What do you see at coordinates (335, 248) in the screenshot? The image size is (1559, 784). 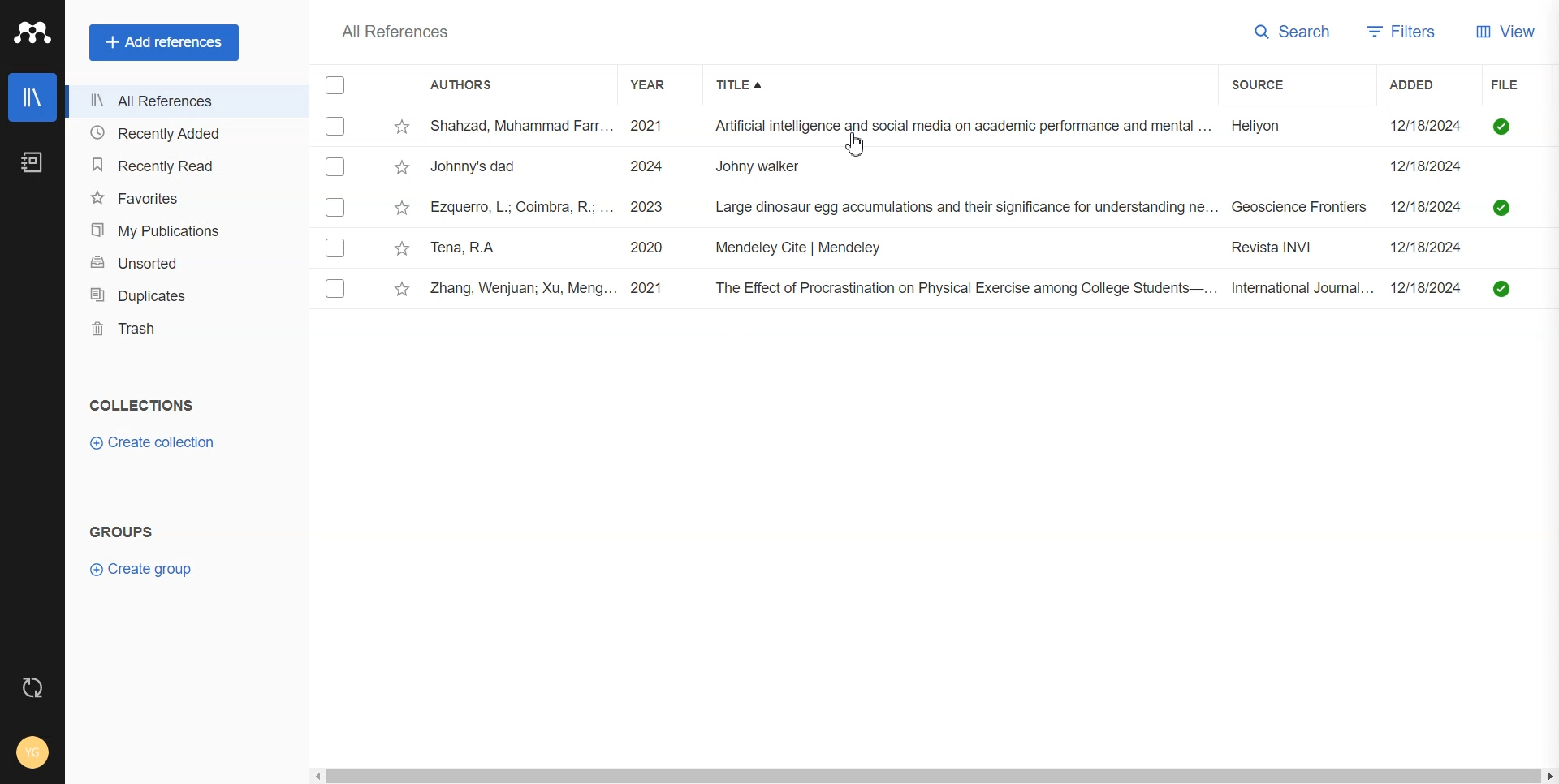 I see `` at bounding box center [335, 248].